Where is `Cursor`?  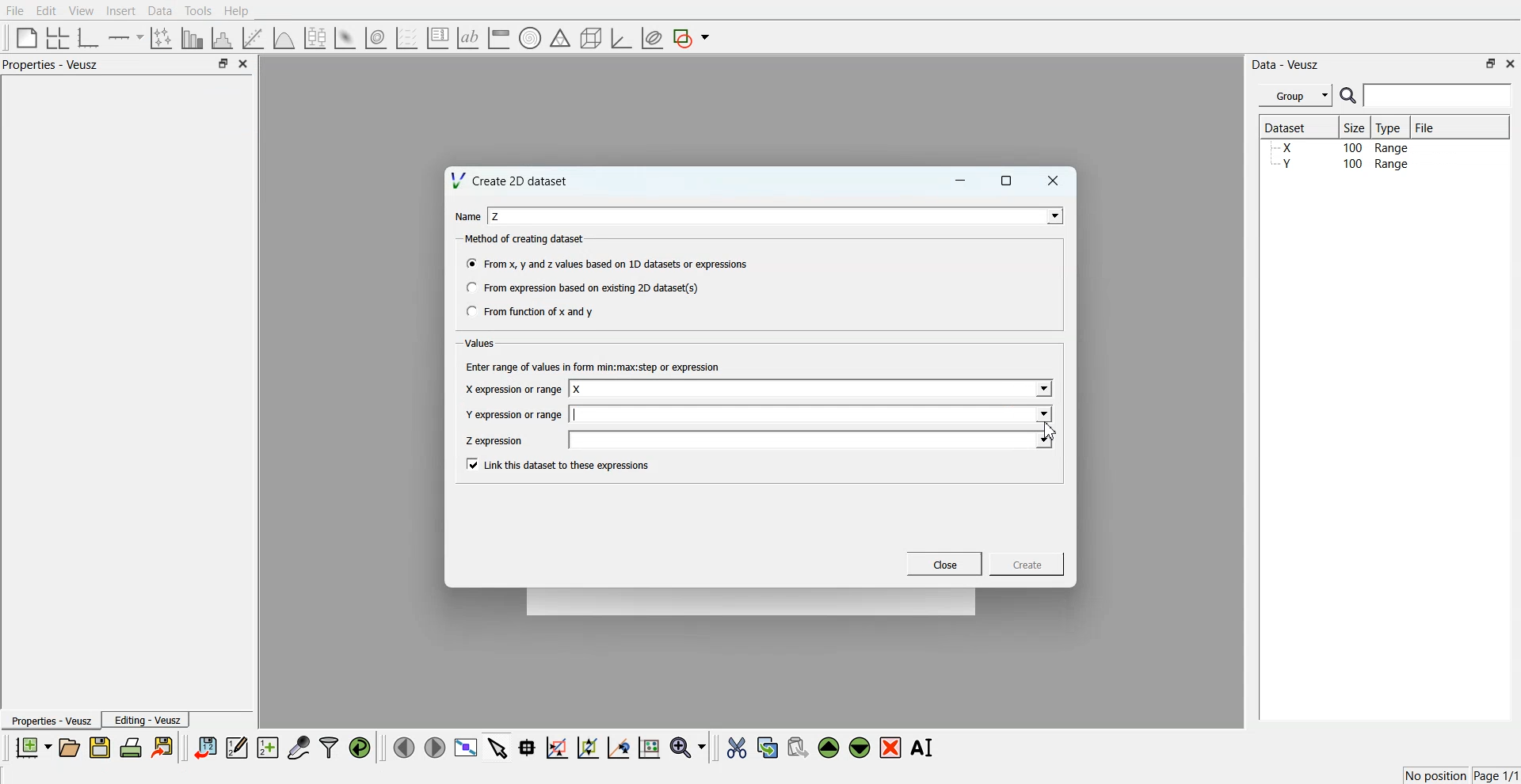 Cursor is located at coordinates (1050, 428).